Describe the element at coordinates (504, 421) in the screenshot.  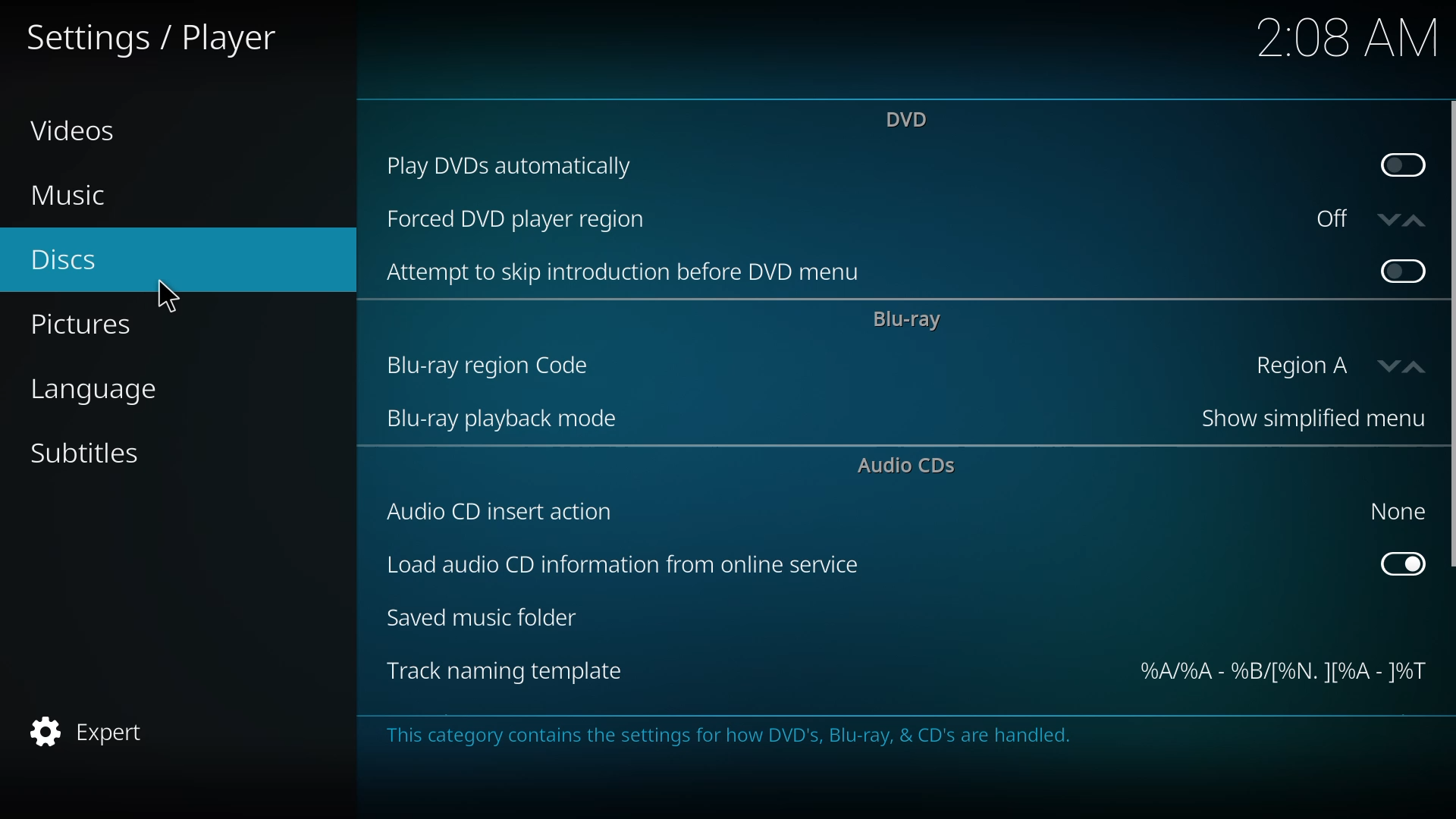
I see `bluray playback mode` at that location.